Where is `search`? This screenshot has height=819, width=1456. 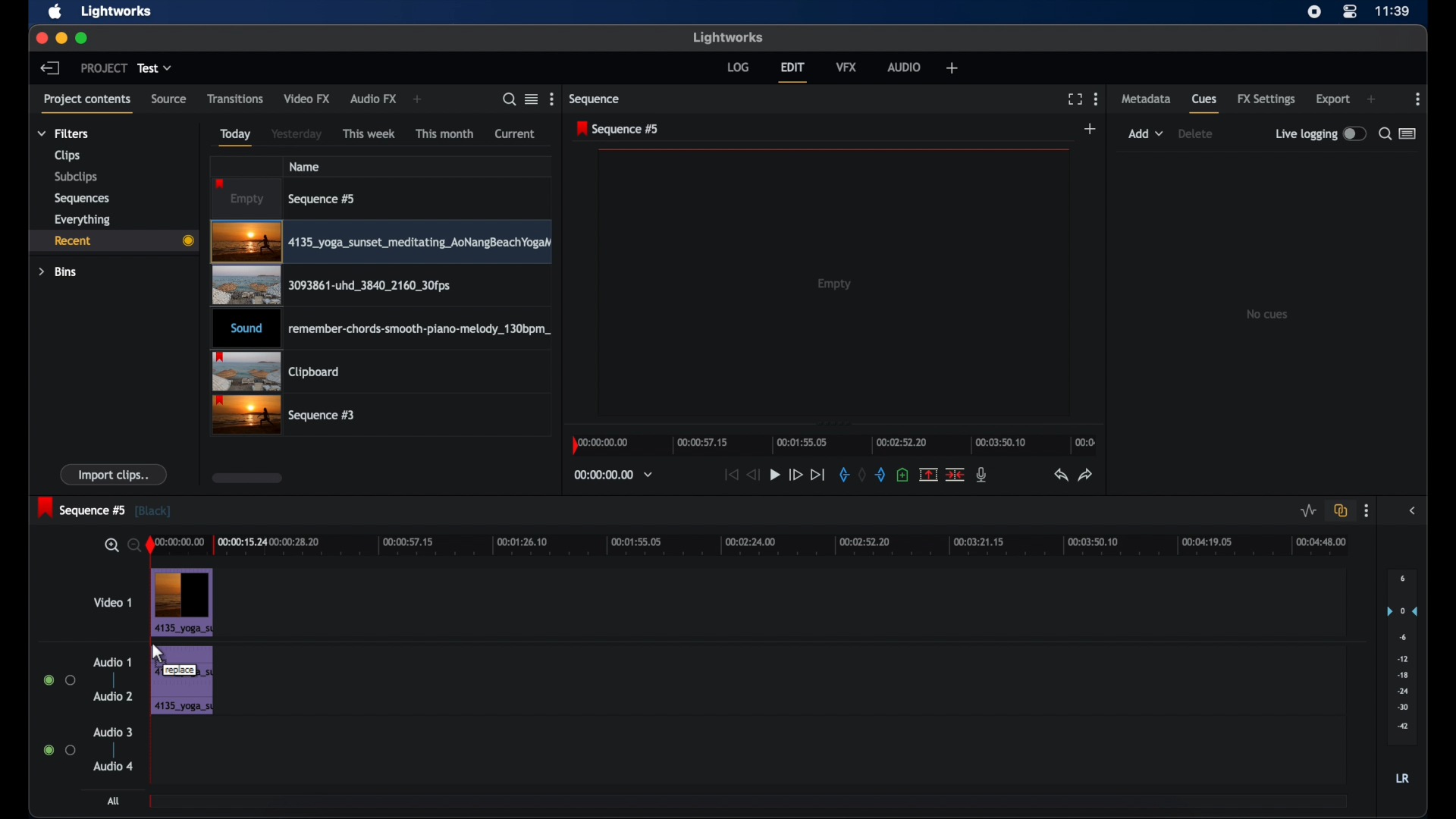 search is located at coordinates (1384, 135).